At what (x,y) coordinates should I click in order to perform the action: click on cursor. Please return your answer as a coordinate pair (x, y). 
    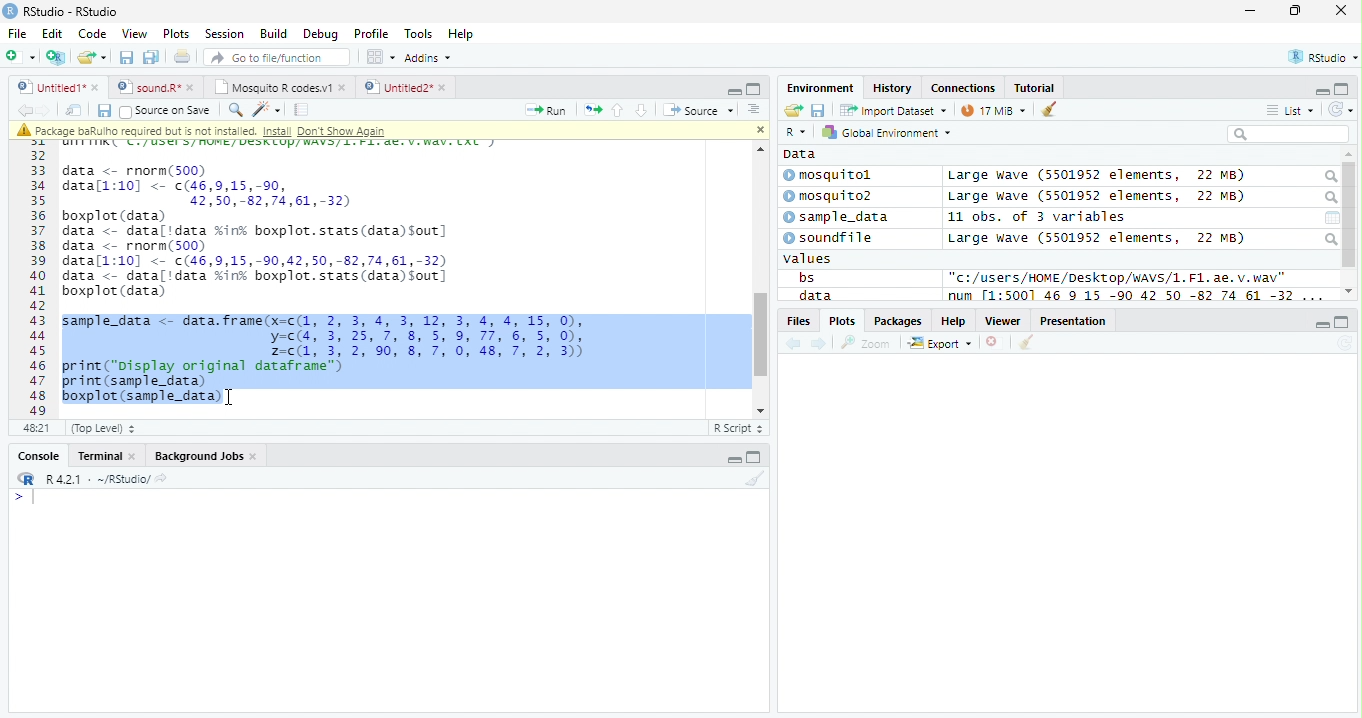
    Looking at the image, I should click on (230, 397).